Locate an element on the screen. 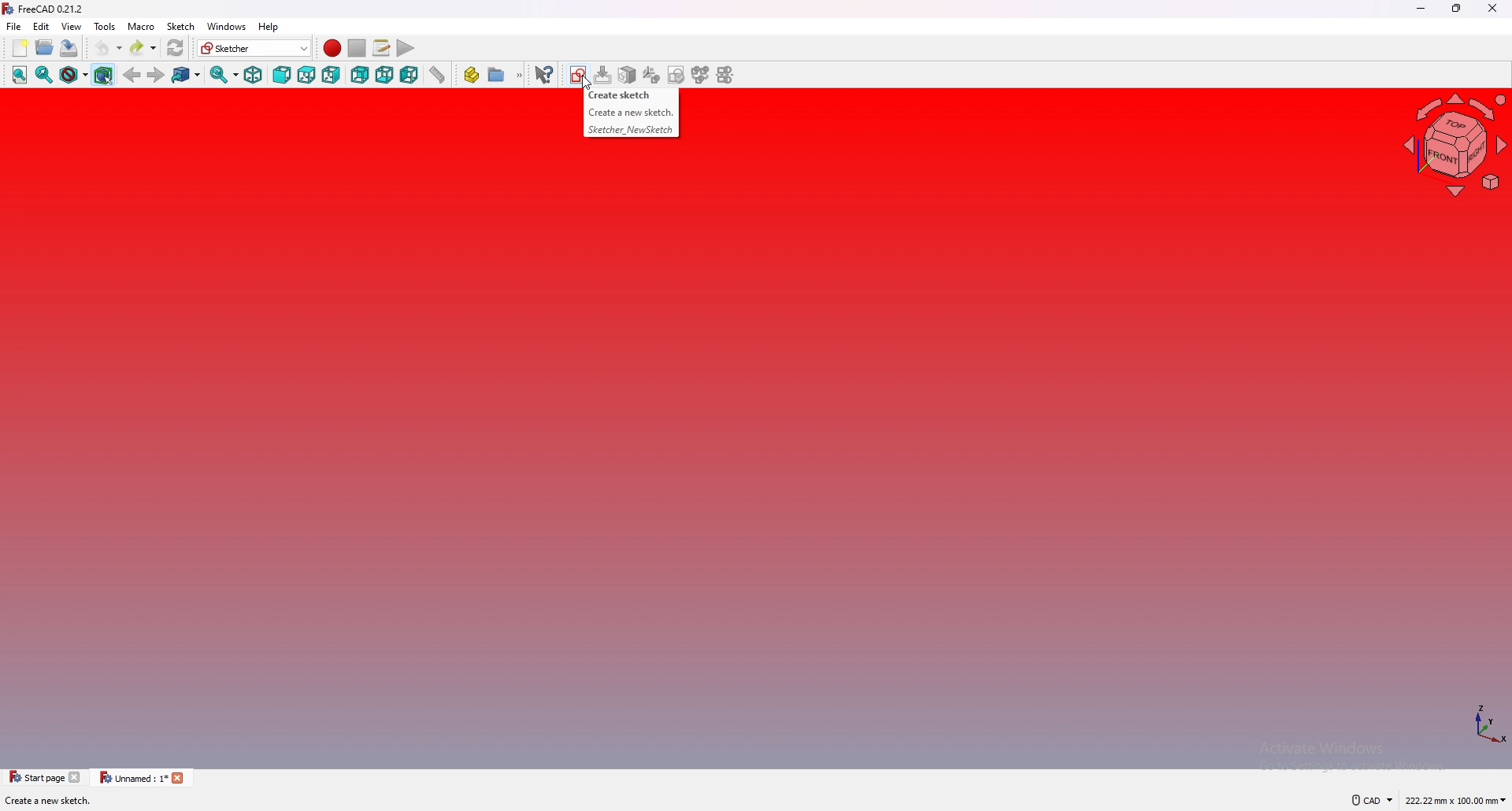  help is located at coordinates (272, 26).